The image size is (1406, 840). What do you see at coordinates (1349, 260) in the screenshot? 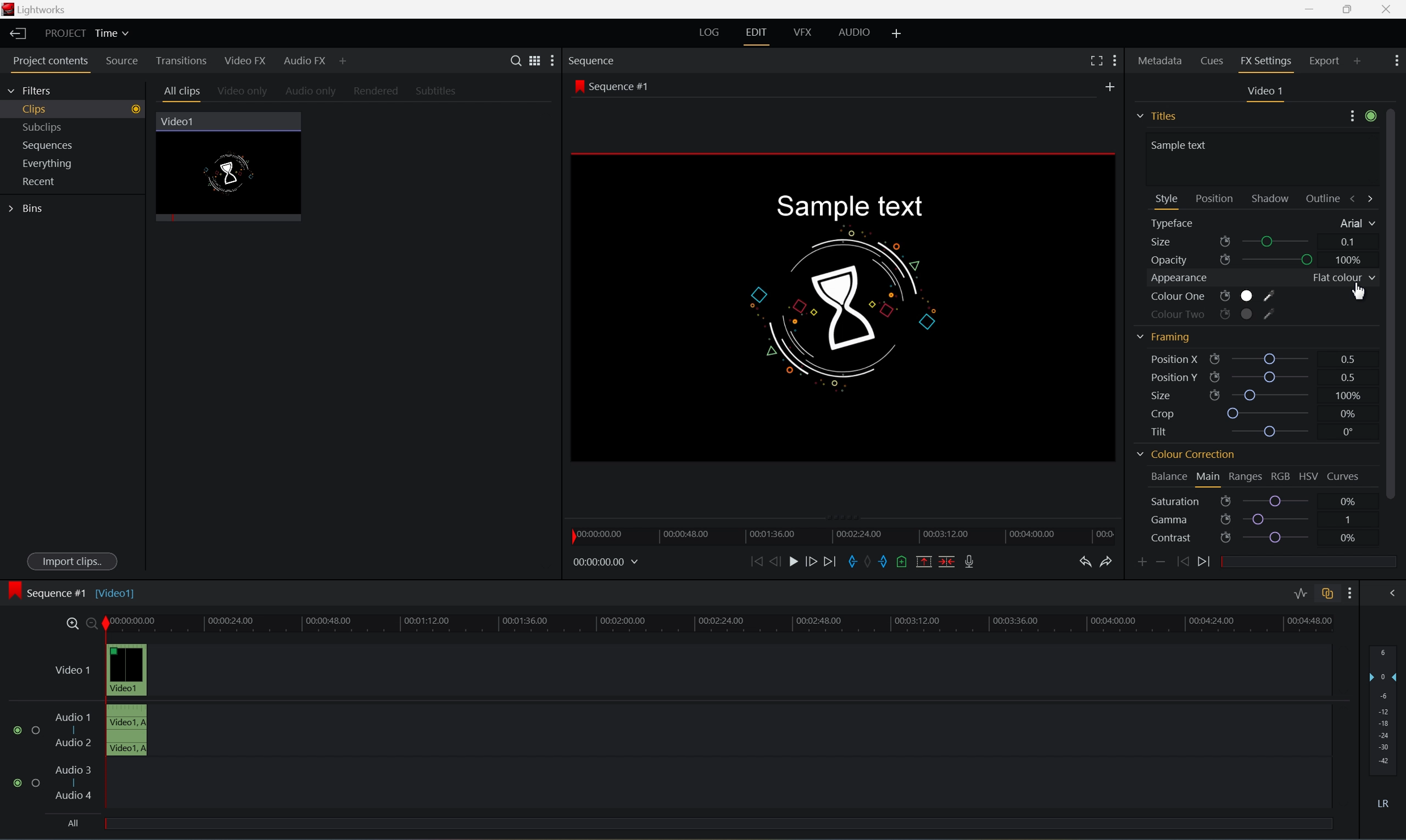
I see `100%` at bounding box center [1349, 260].